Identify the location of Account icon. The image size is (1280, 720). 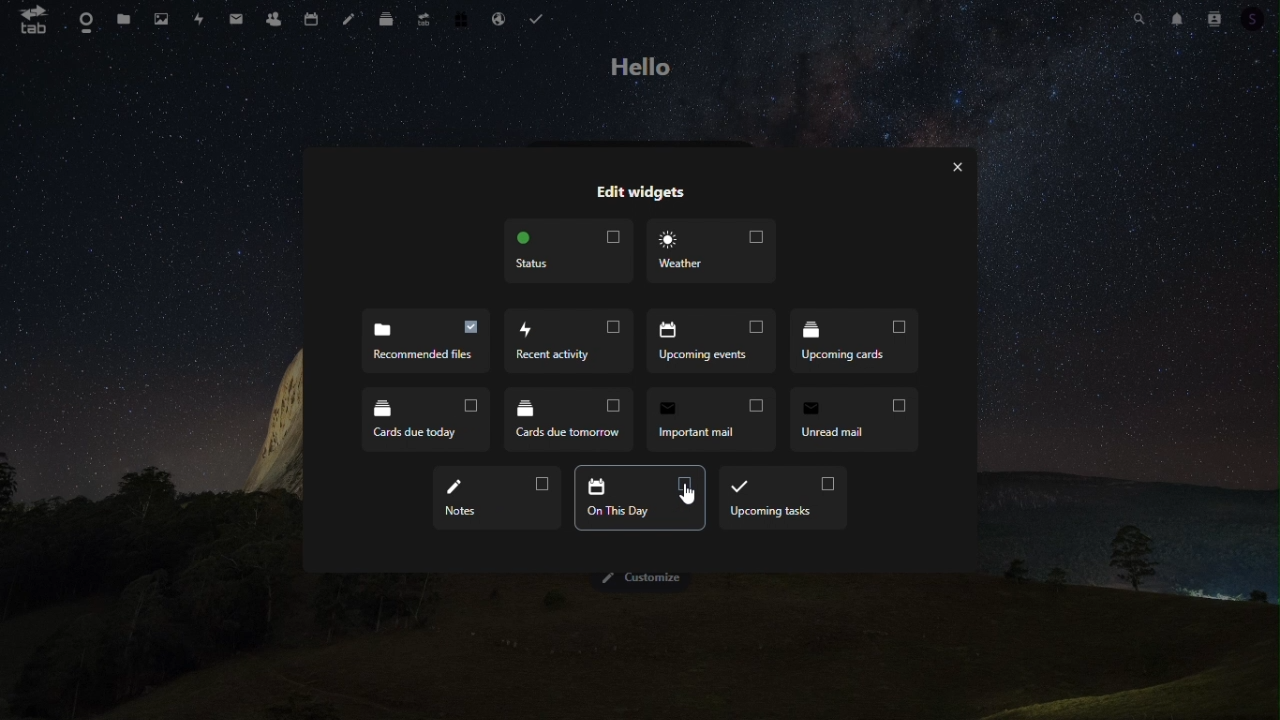
(1215, 20).